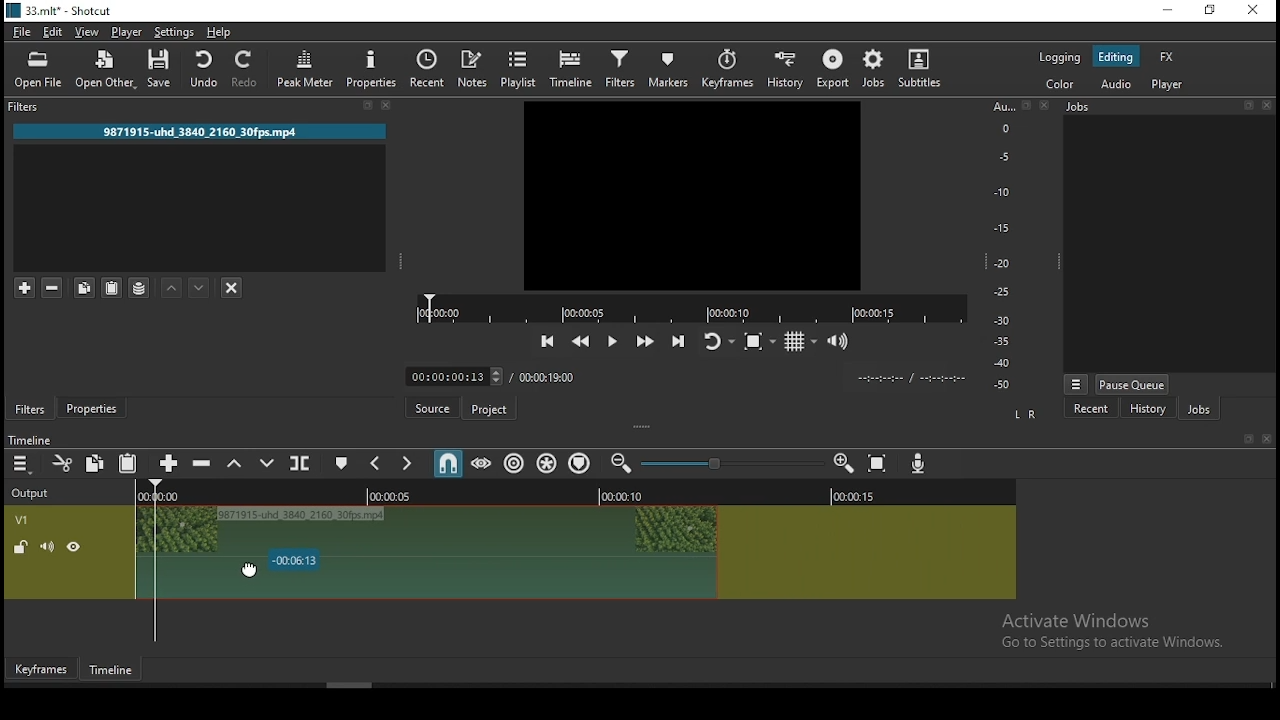  Describe the element at coordinates (1063, 86) in the screenshot. I see `color` at that location.